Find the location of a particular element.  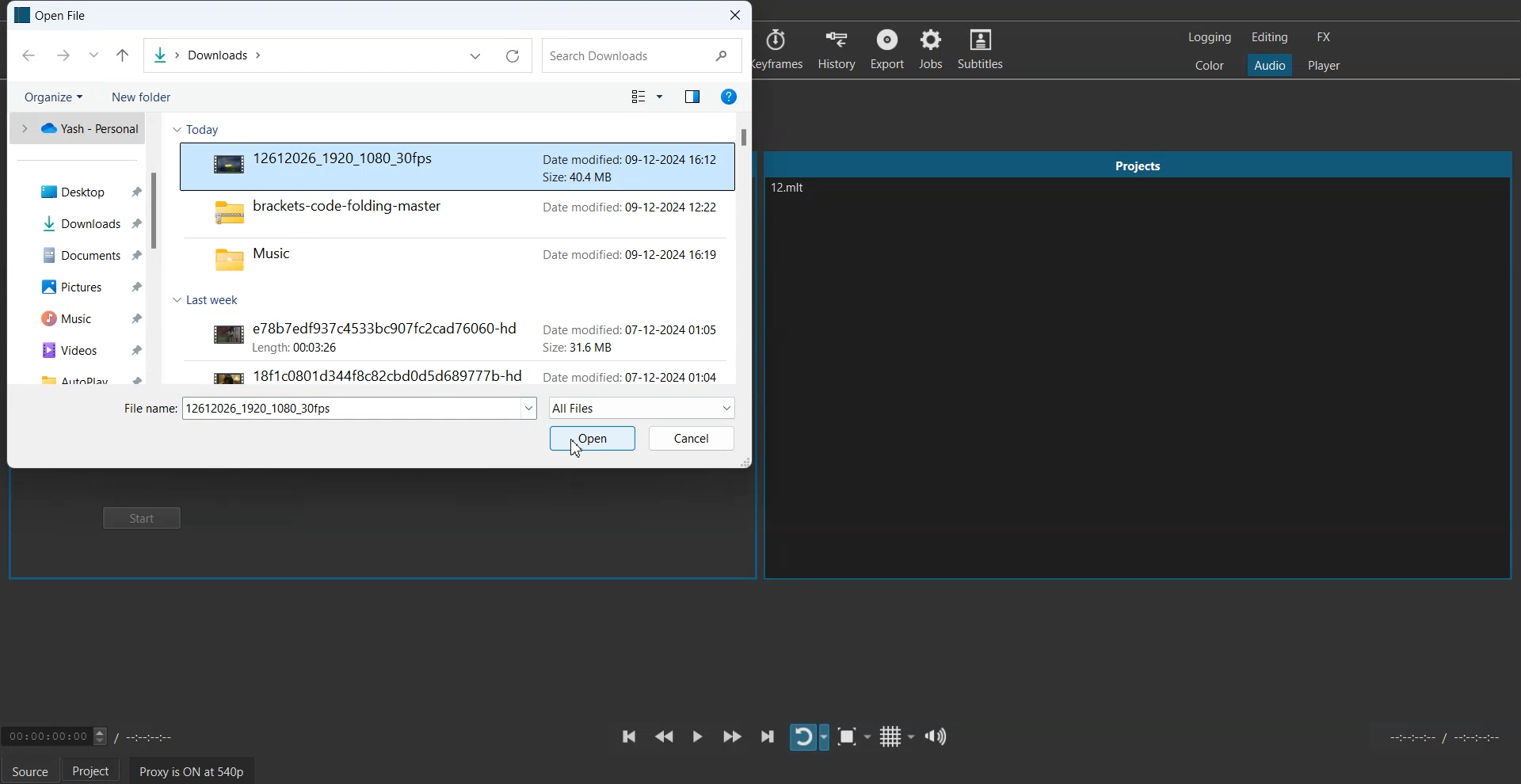

Logging is located at coordinates (1210, 37).